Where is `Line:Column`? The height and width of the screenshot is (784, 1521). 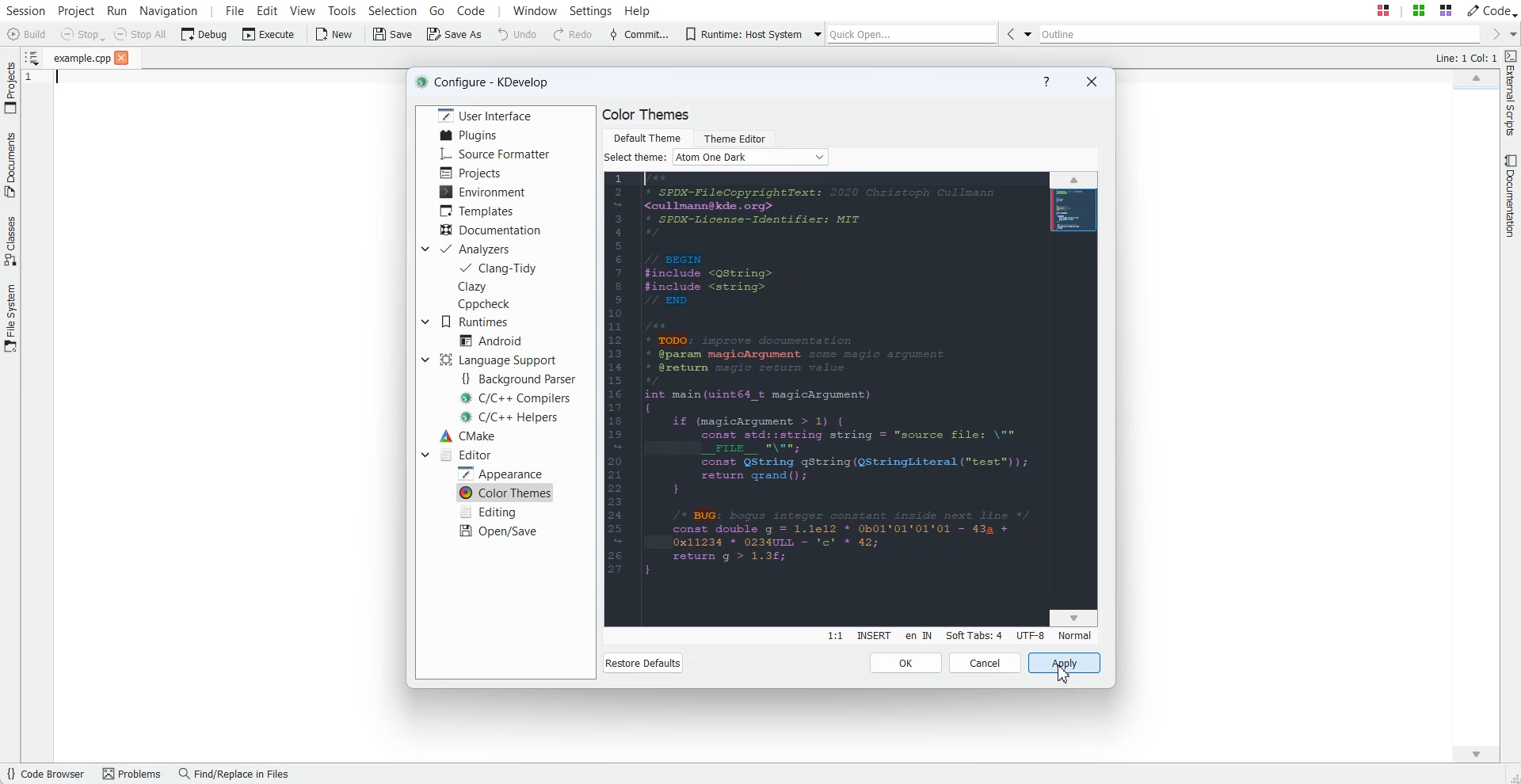 Line:Column is located at coordinates (834, 636).